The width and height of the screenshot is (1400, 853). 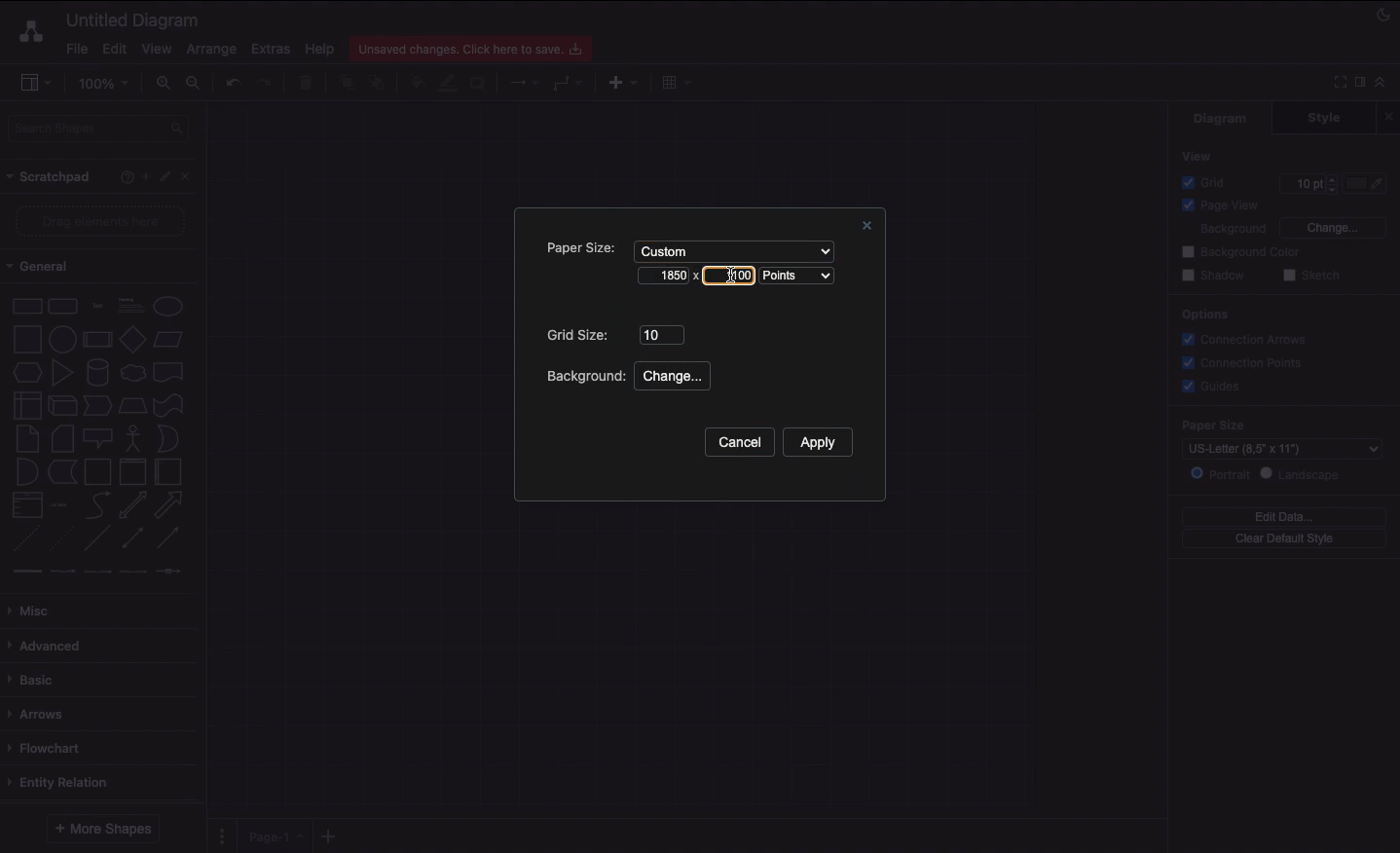 What do you see at coordinates (171, 538) in the screenshot?
I see `Directional connector` at bounding box center [171, 538].